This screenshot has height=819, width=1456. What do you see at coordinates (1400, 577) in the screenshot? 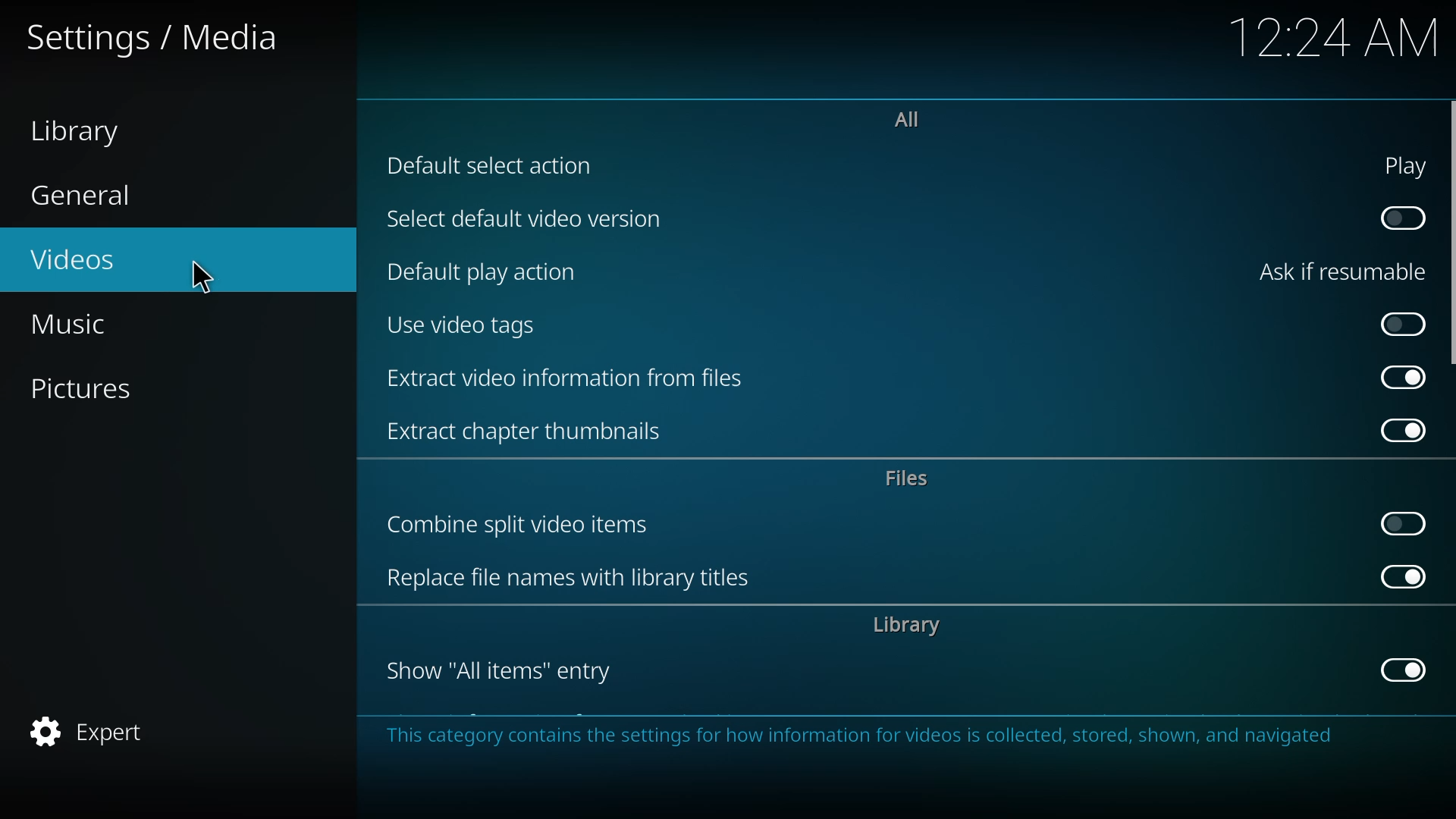
I see `enabled` at bounding box center [1400, 577].